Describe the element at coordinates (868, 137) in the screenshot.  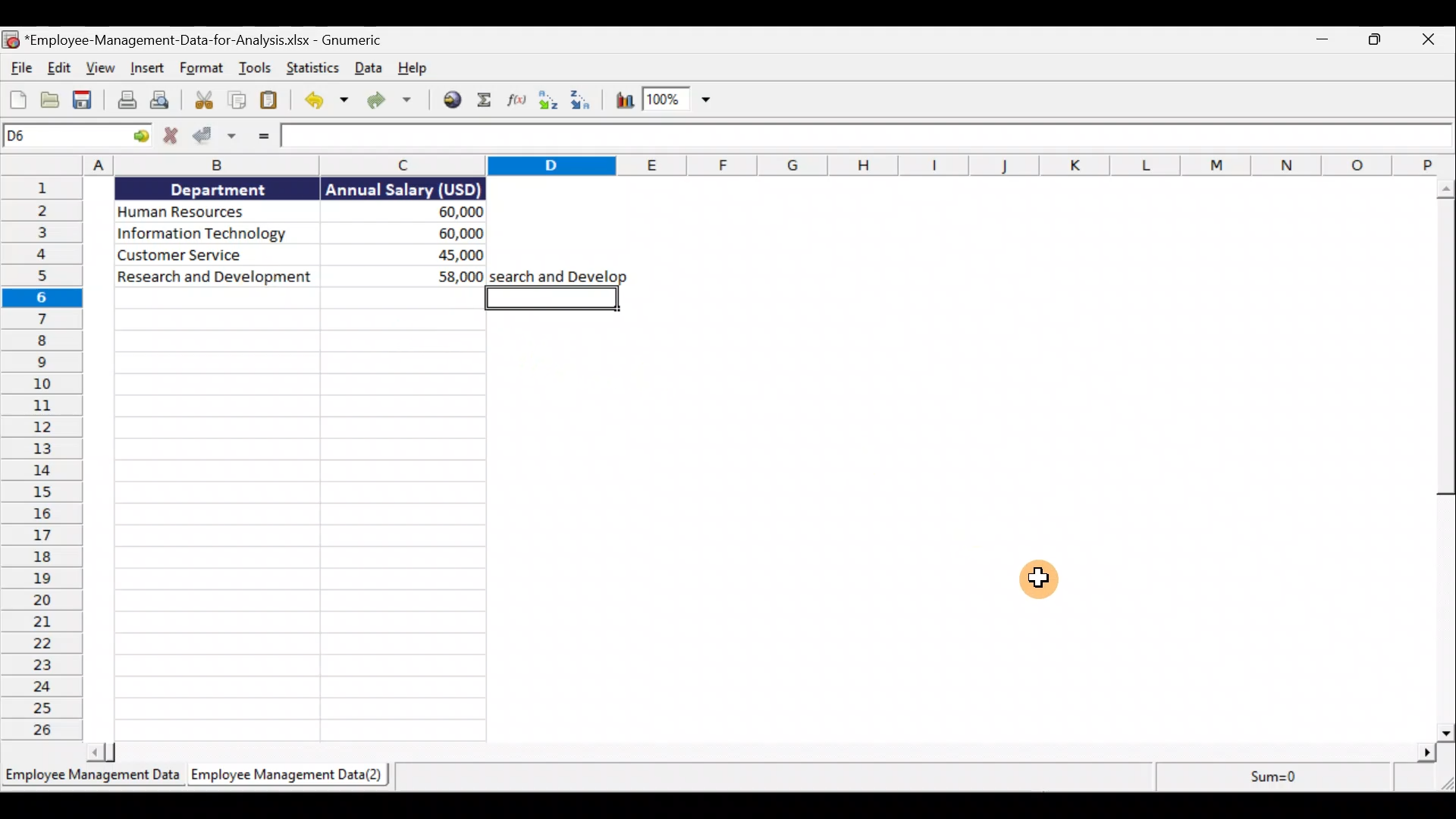
I see `Formula bar` at that location.